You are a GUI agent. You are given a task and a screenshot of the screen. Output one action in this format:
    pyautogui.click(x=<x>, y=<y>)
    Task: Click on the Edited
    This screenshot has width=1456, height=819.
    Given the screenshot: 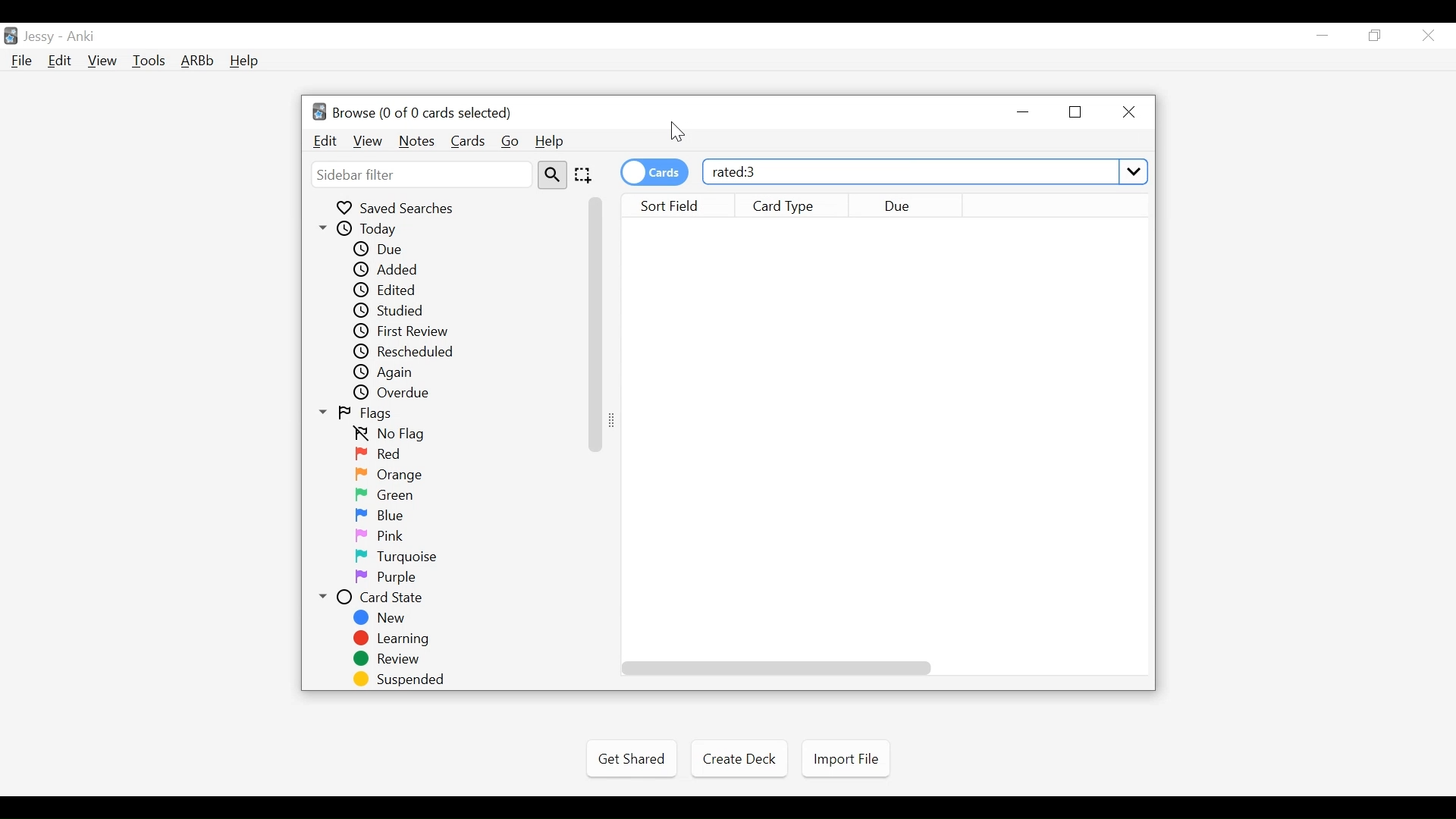 What is the action you would take?
    pyautogui.click(x=392, y=290)
    